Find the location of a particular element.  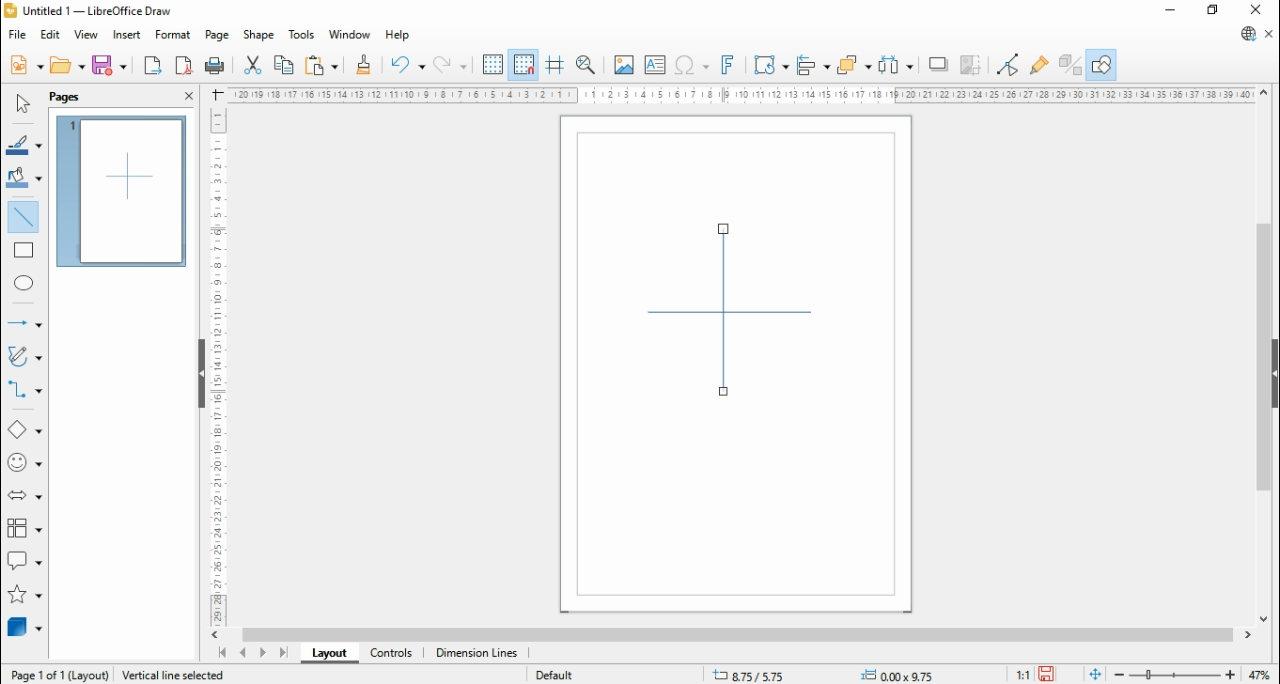

print is located at coordinates (218, 67).